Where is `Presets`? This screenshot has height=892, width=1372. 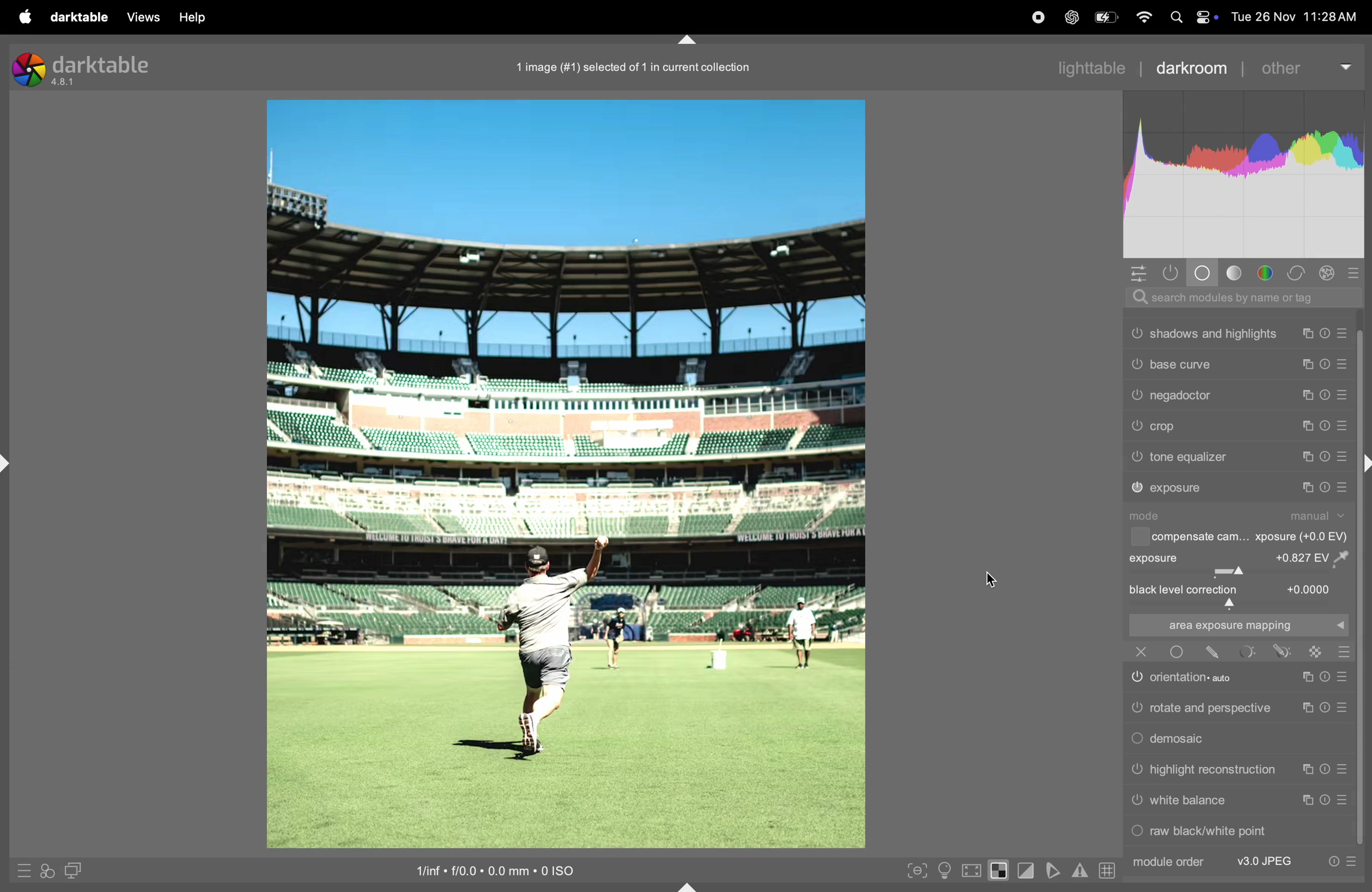 Presets is located at coordinates (1352, 862).